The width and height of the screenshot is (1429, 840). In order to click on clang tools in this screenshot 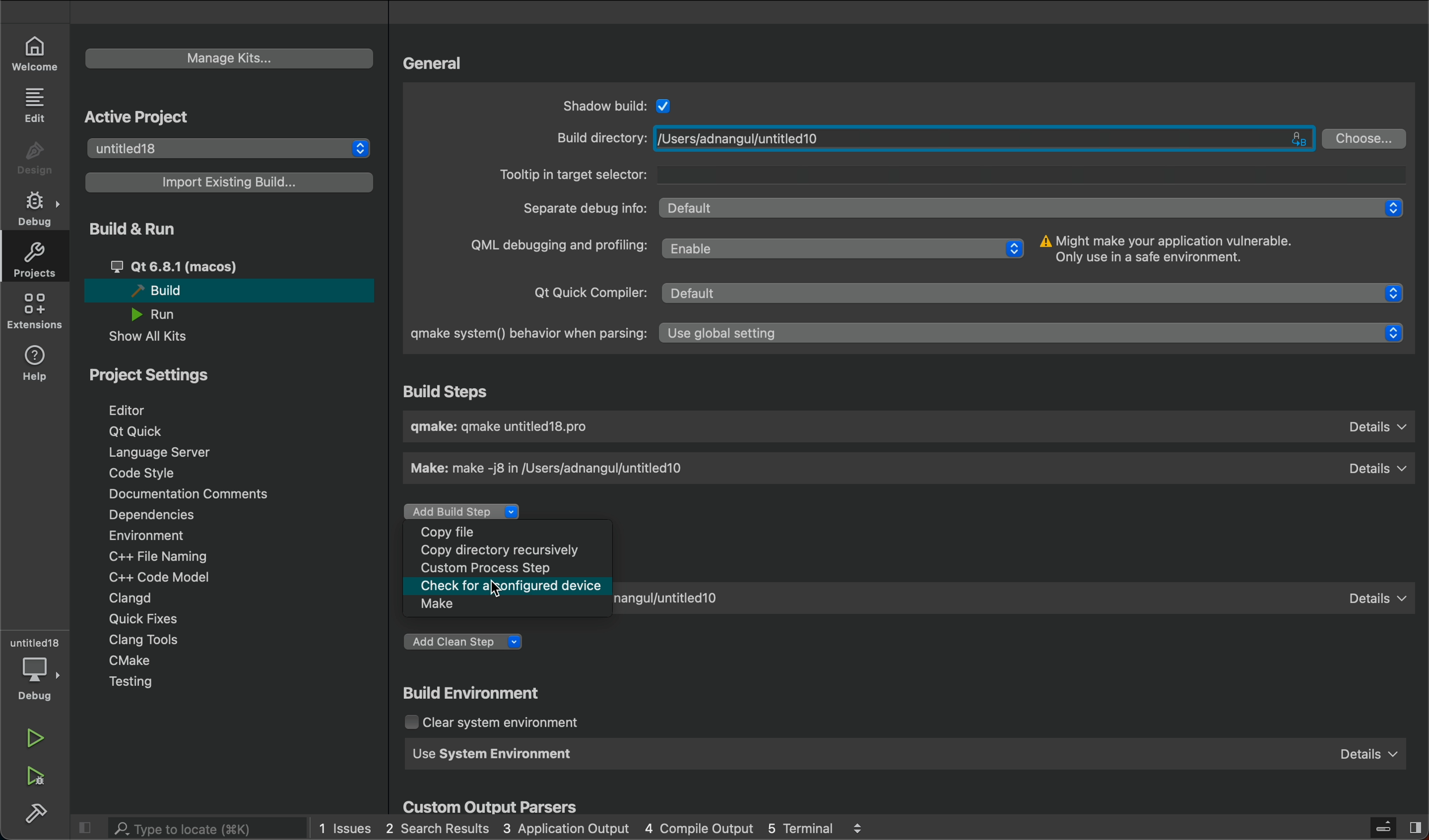, I will do `click(150, 640)`.